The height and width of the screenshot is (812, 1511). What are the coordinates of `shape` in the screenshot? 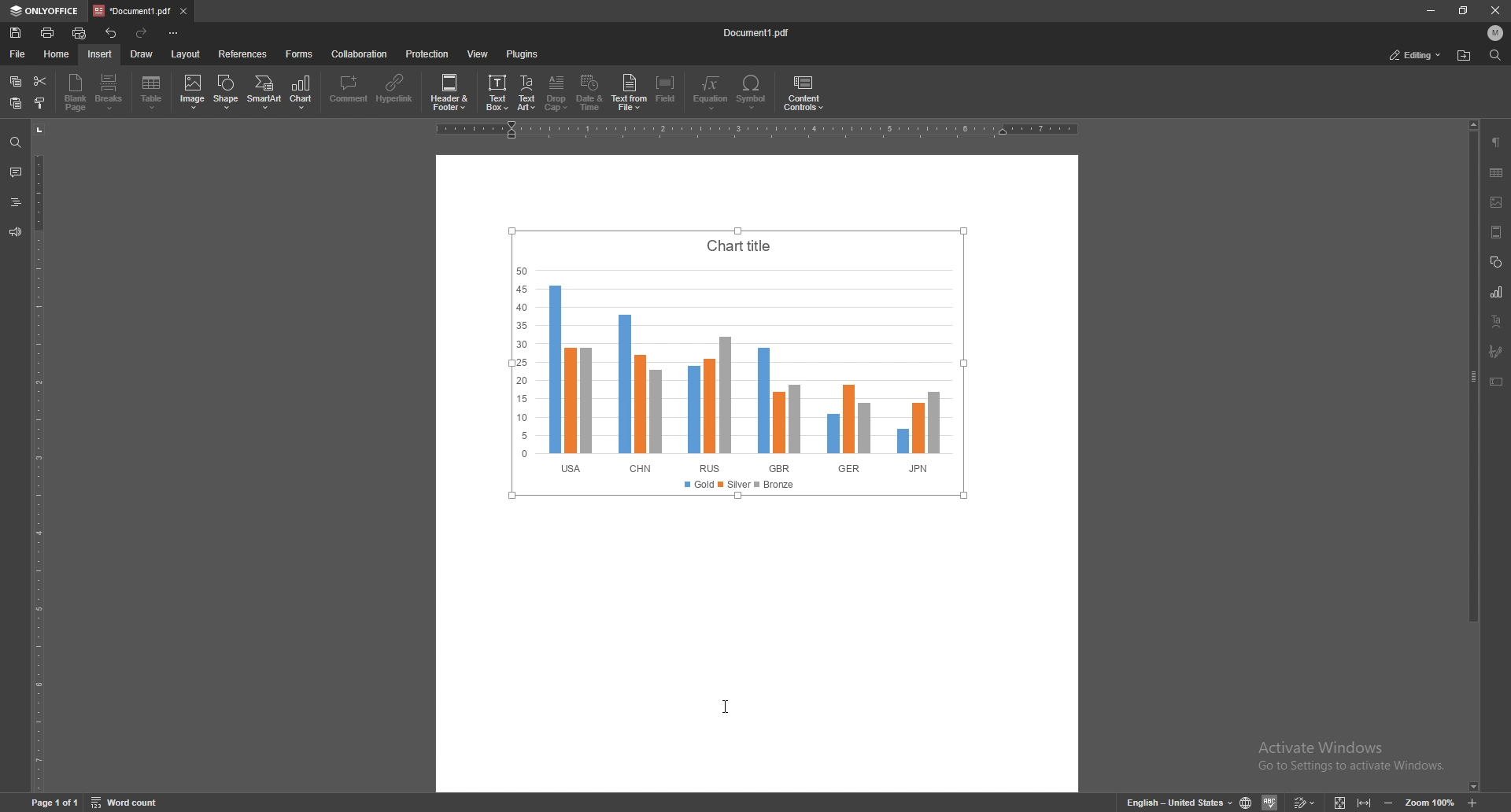 It's located at (226, 91).